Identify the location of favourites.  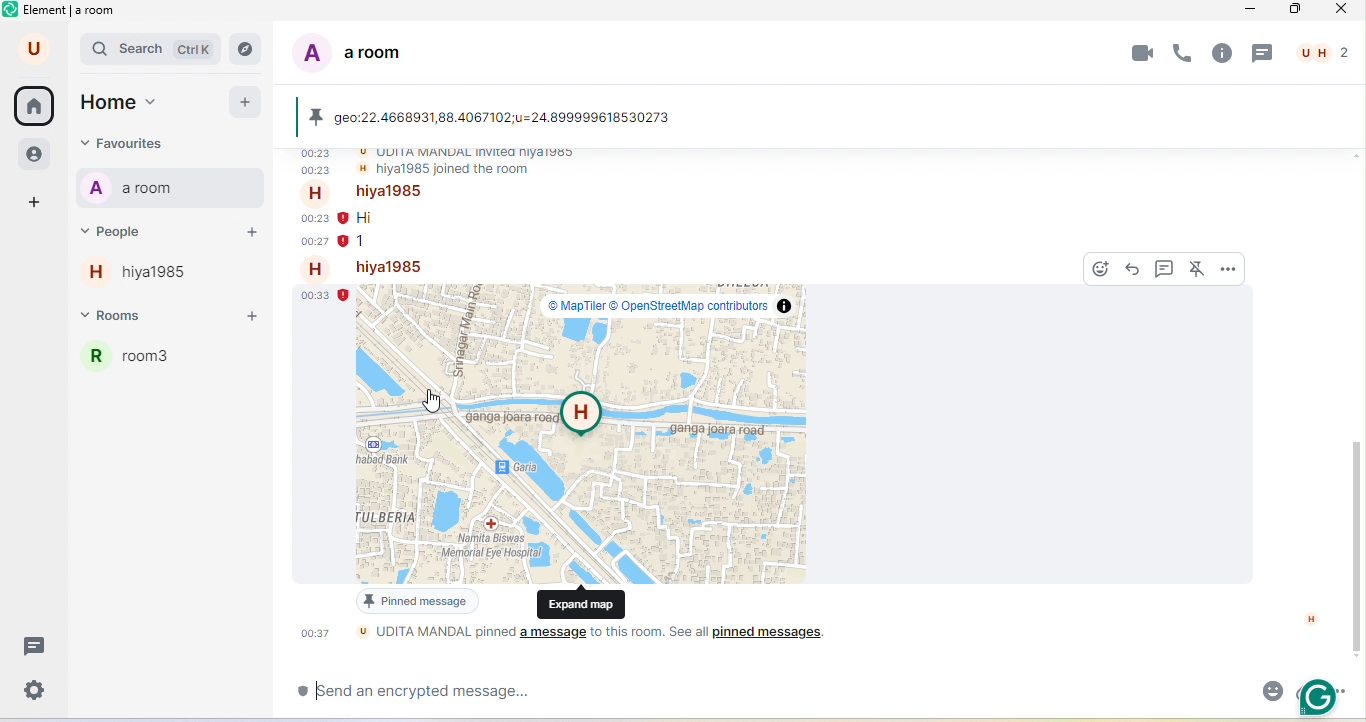
(155, 143).